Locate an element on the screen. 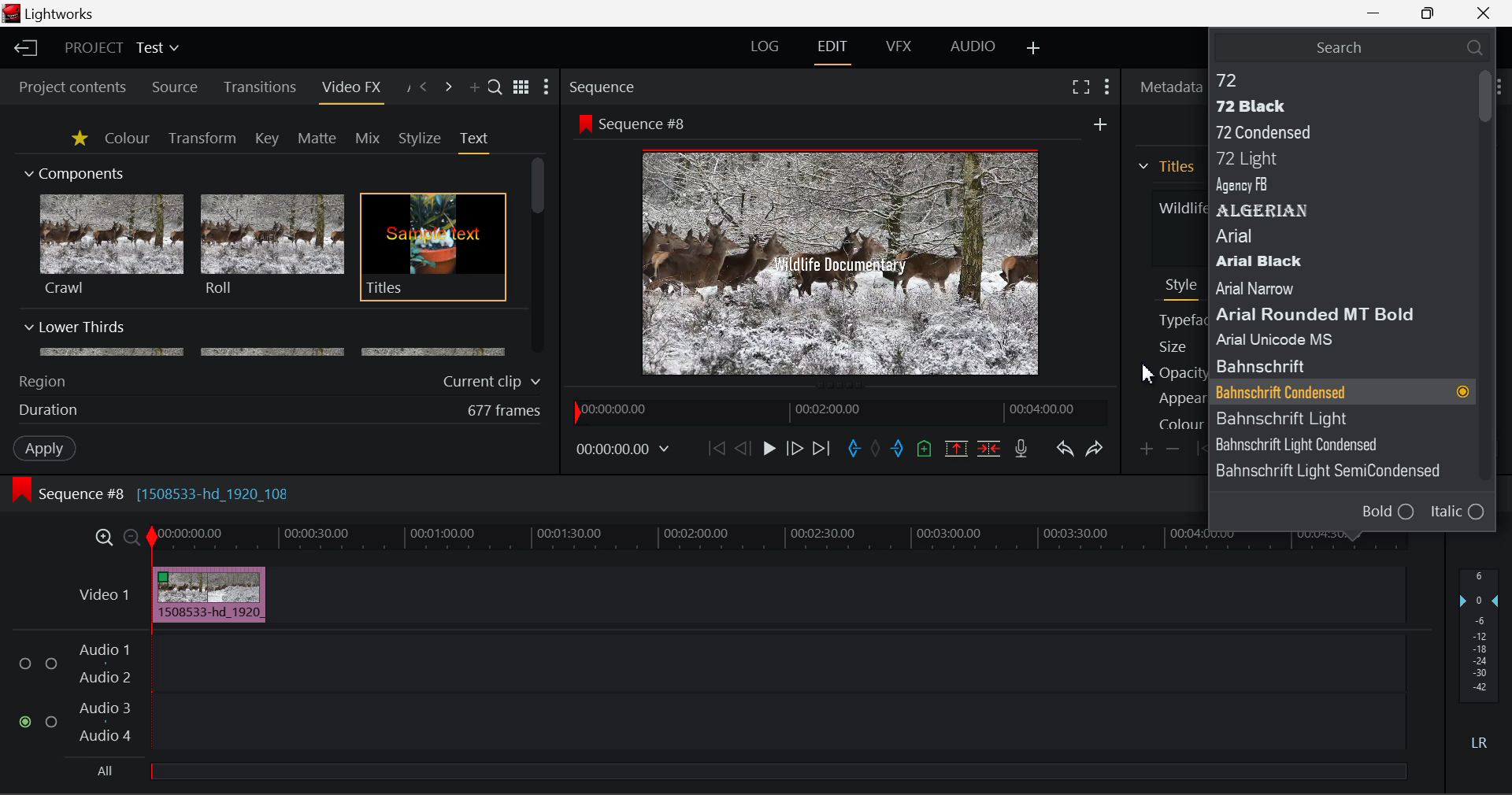 The width and height of the screenshot is (1512, 795). Mark In is located at coordinates (854, 451).